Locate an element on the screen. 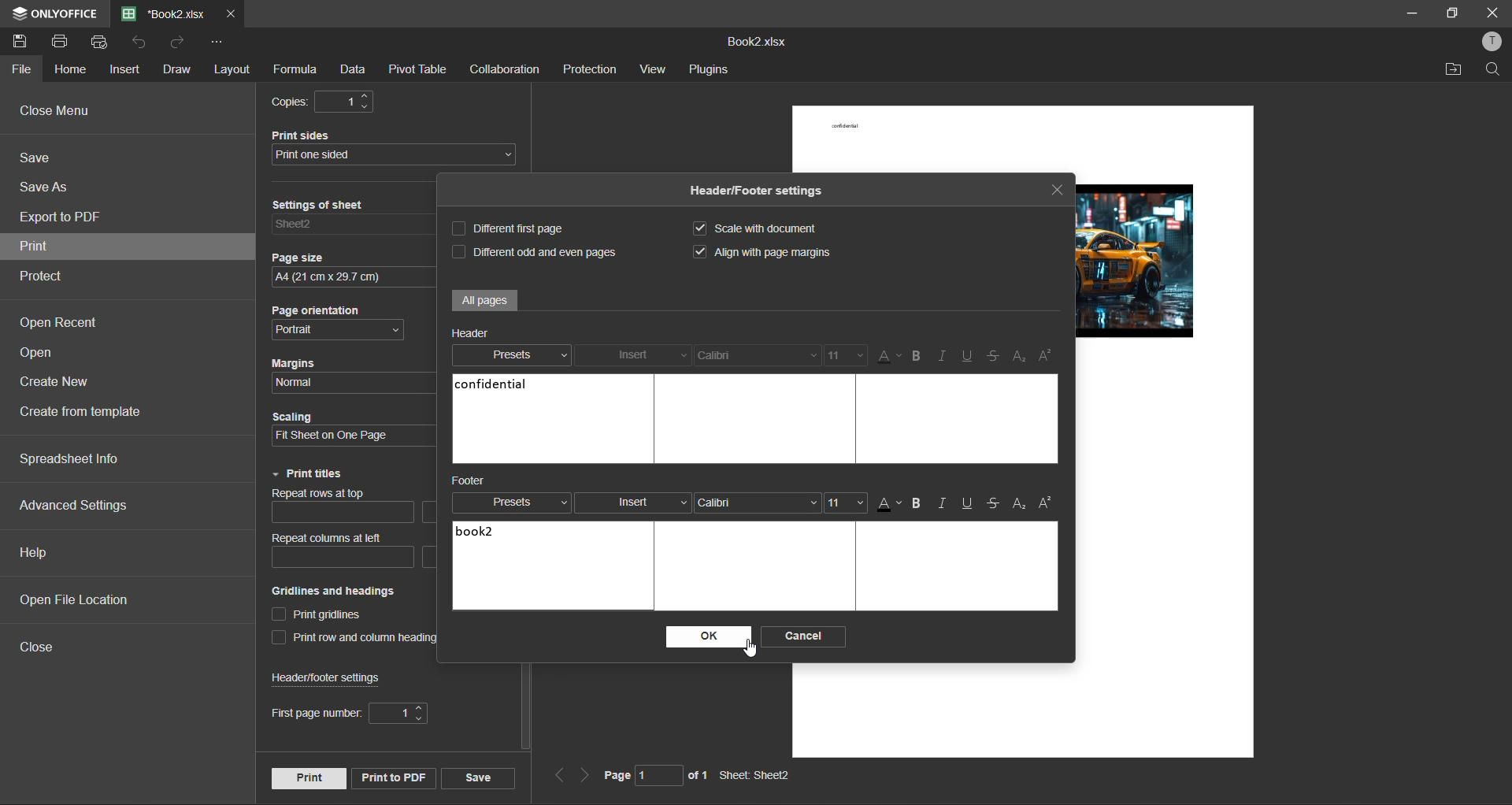 This screenshot has width=1512, height=805. bold is located at coordinates (919, 503).